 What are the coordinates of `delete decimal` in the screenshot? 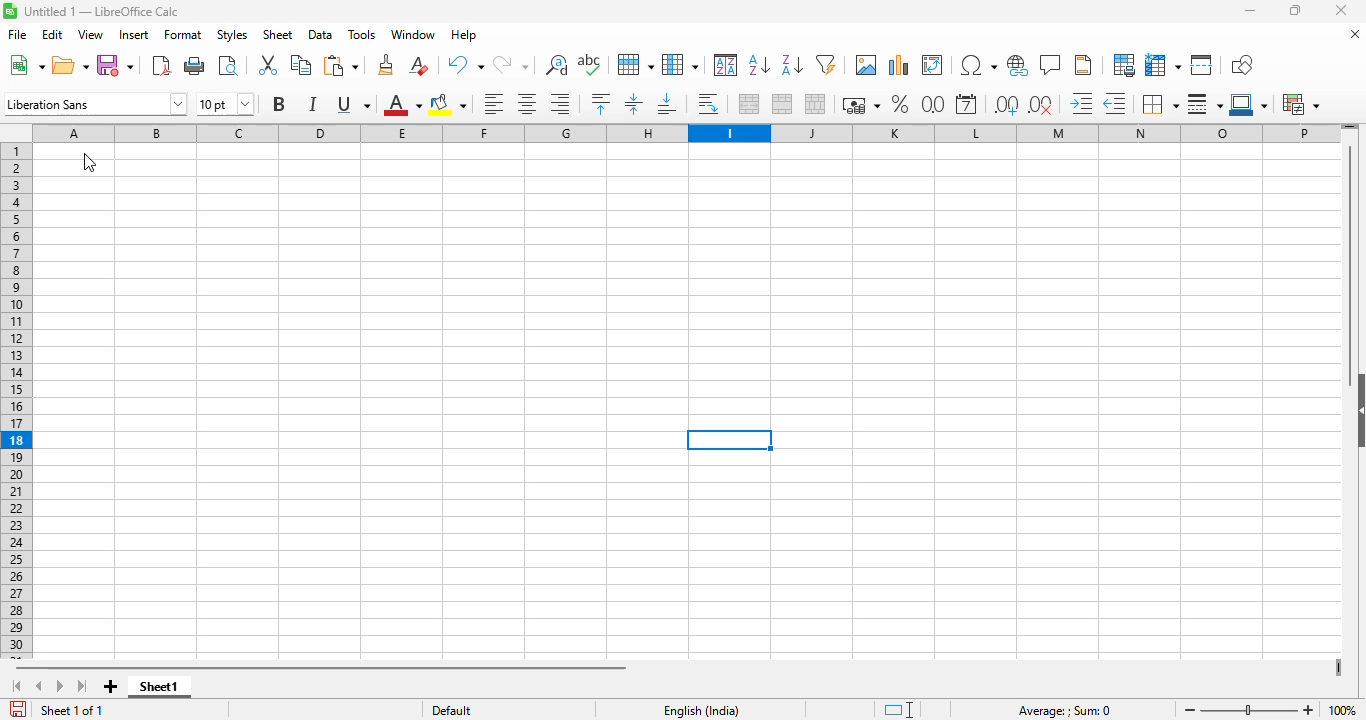 It's located at (1042, 105).